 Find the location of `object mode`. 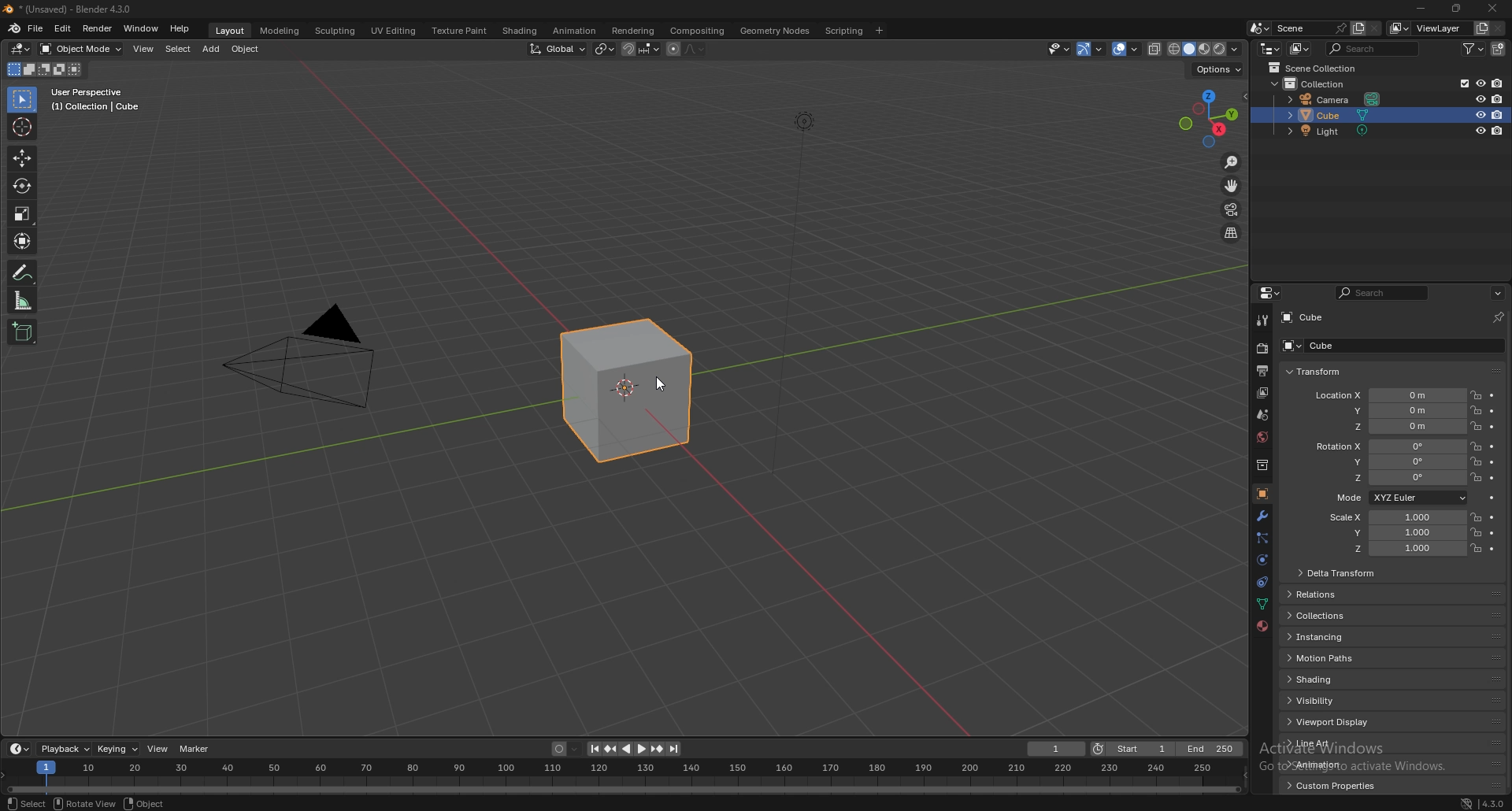

object mode is located at coordinates (82, 49).